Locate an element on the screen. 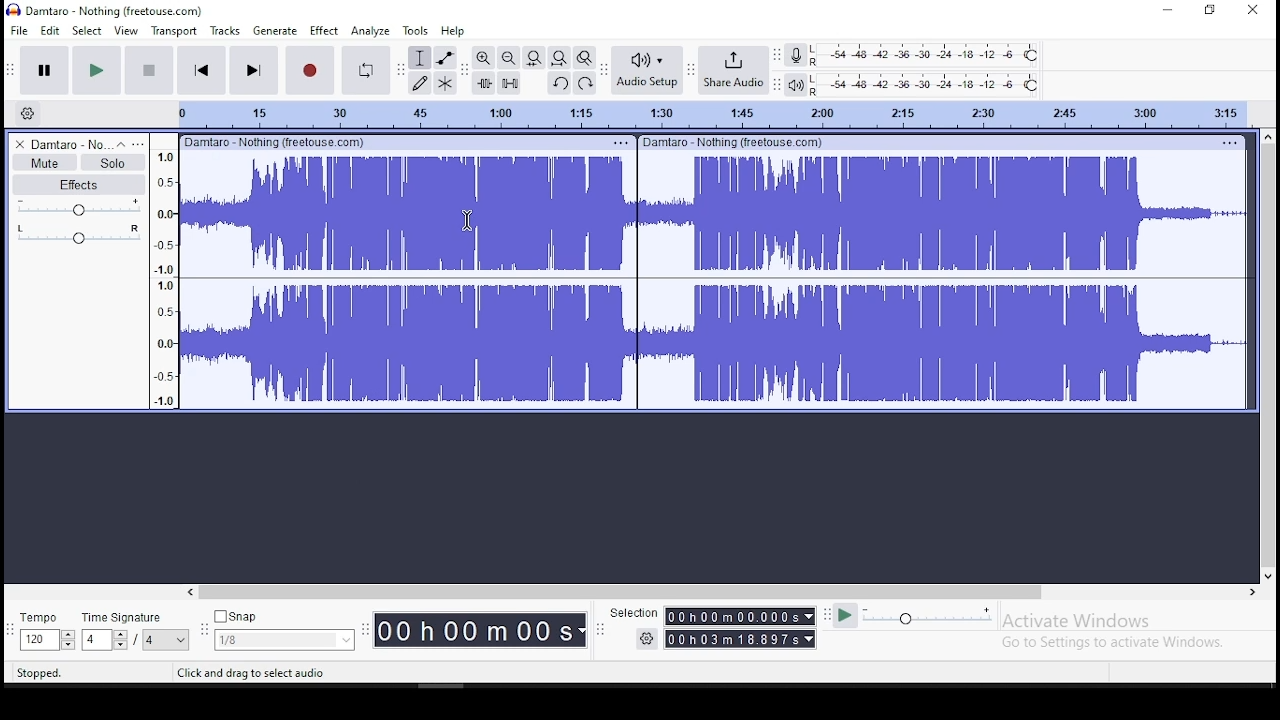 The width and height of the screenshot is (1280, 720). undo is located at coordinates (561, 83).